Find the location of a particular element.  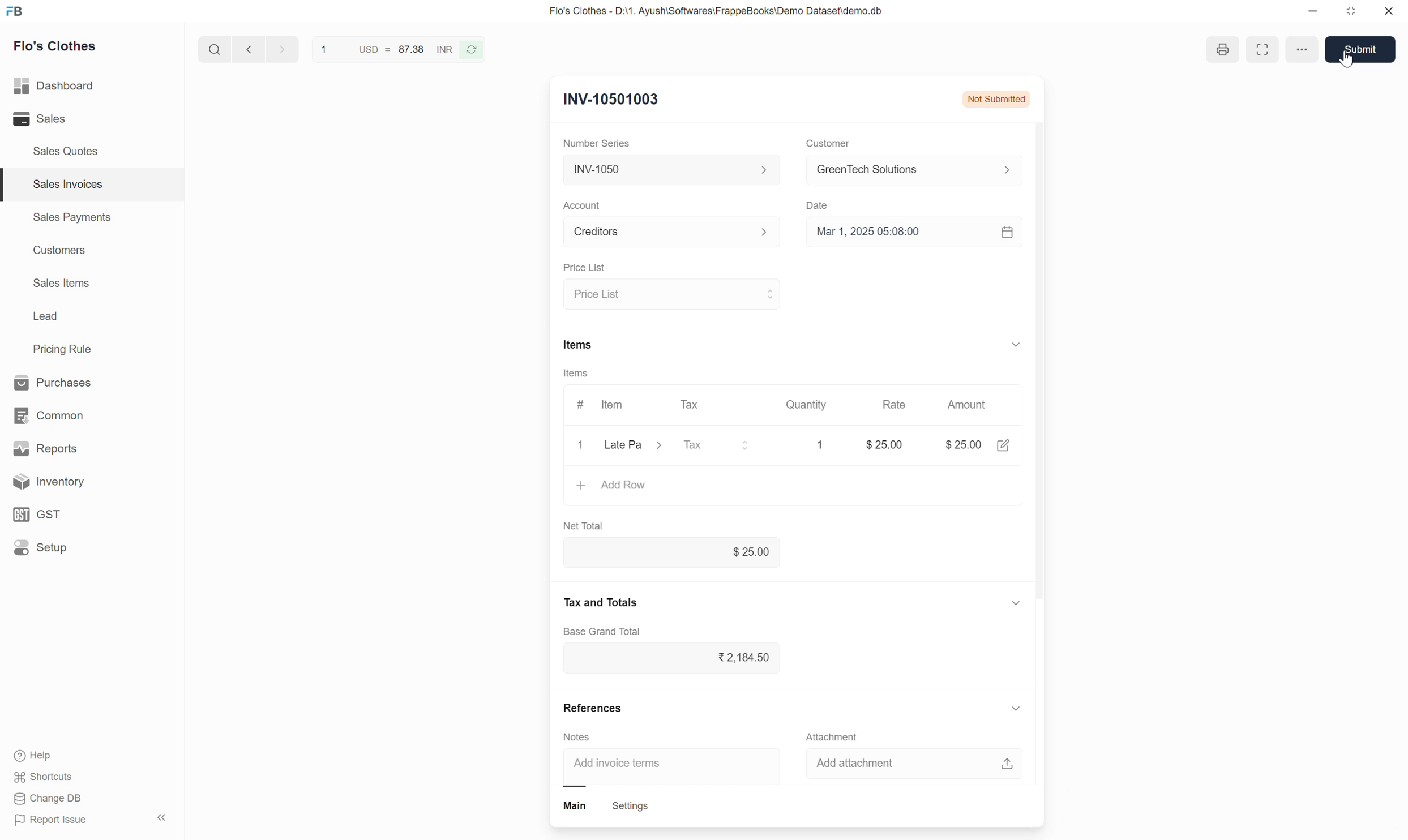

more options is located at coordinates (1298, 48).